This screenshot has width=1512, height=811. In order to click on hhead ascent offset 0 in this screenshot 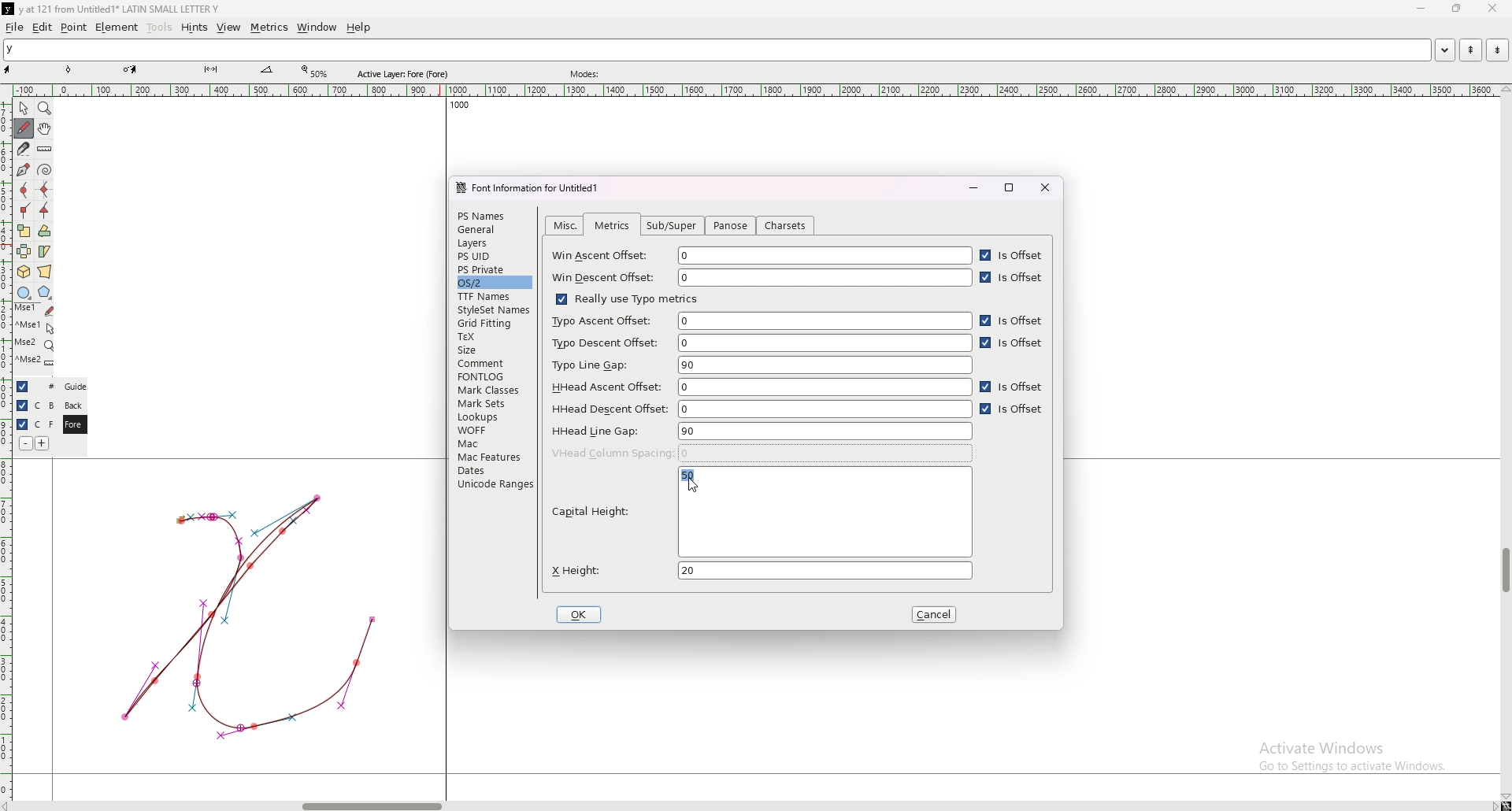, I will do `click(759, 387)`.